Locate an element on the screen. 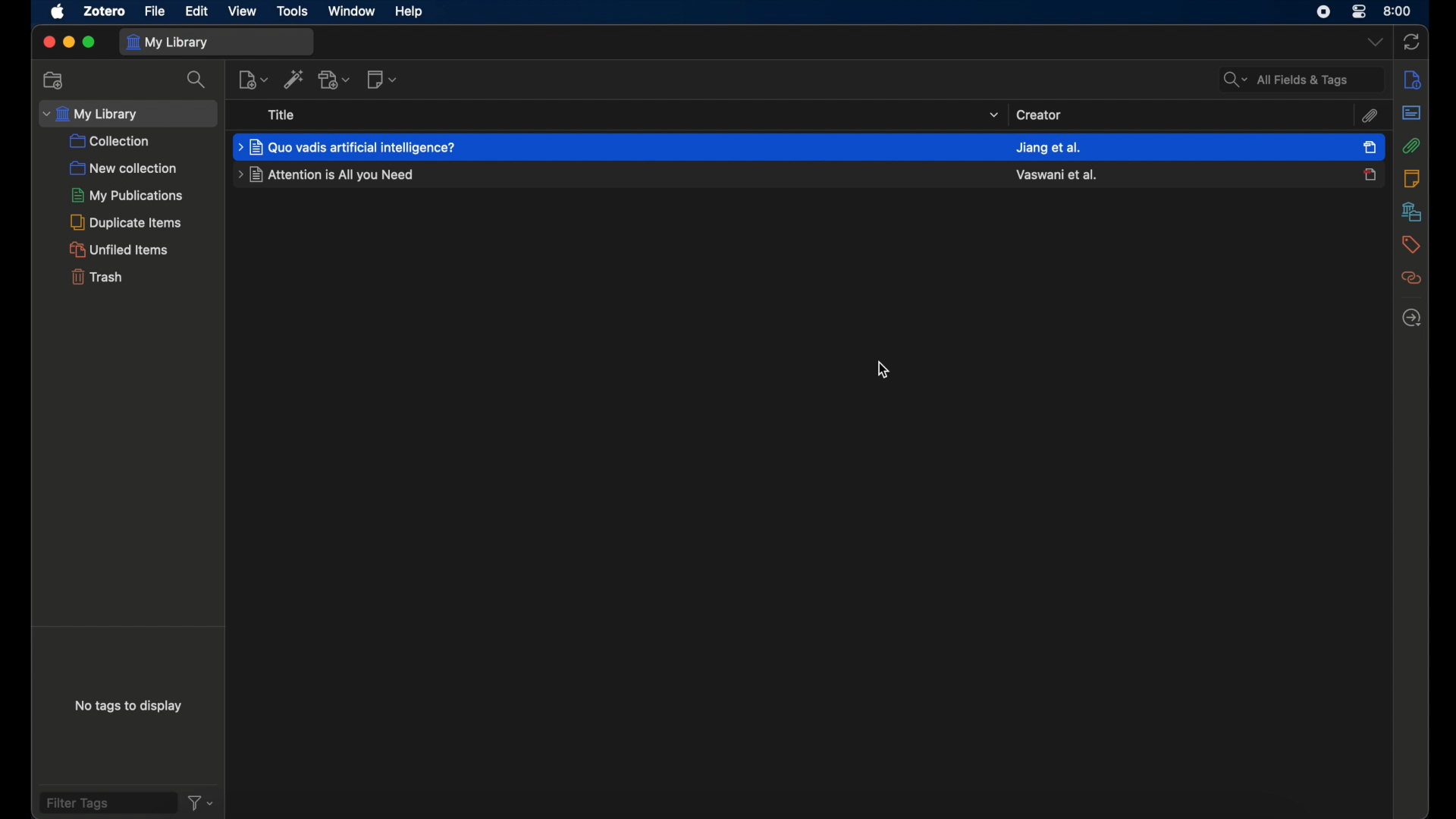 This screenshot has width=1456, height=819. minimize is located at coordinates (68, 42).